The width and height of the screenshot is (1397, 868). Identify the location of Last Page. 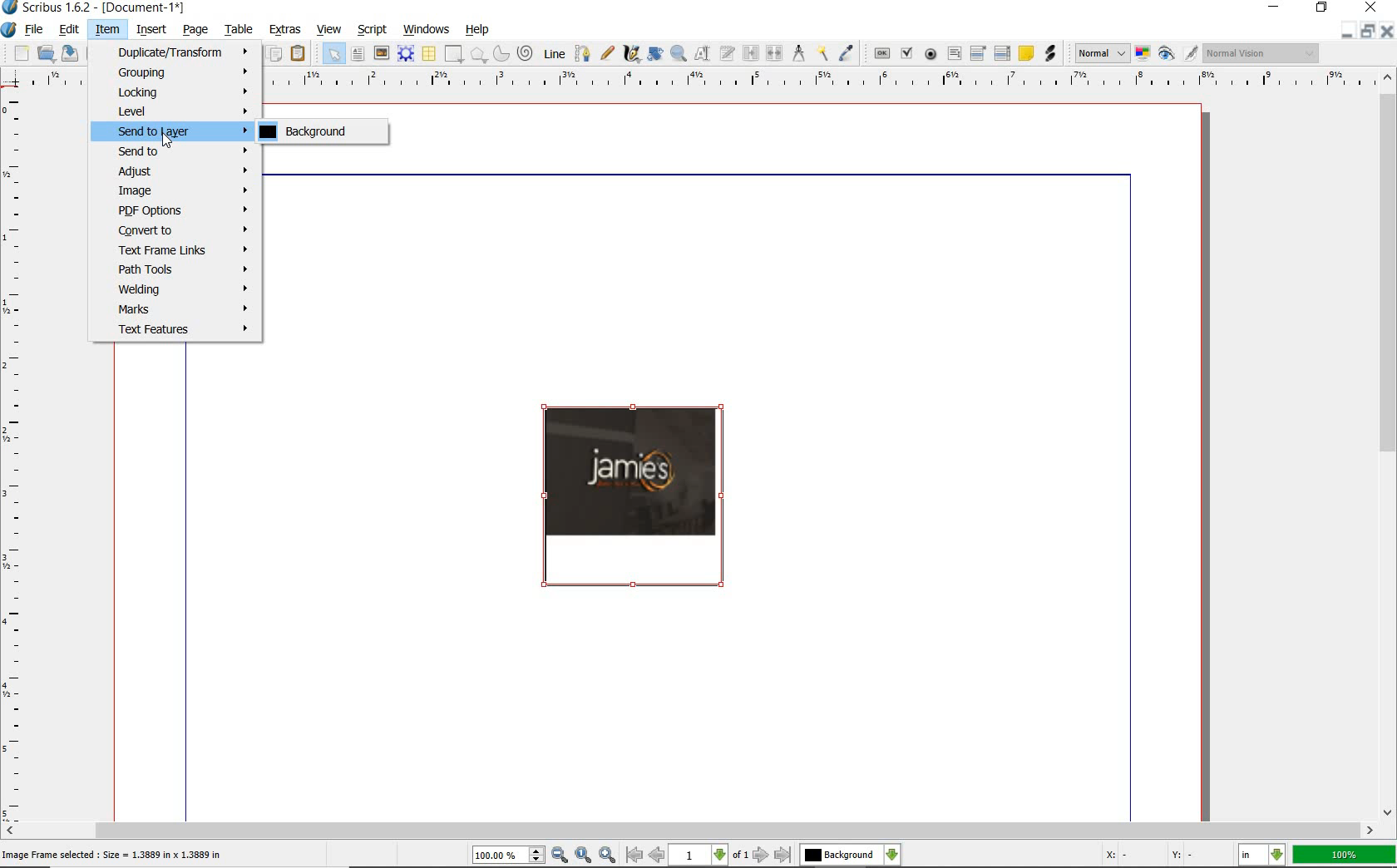
(783, 856).